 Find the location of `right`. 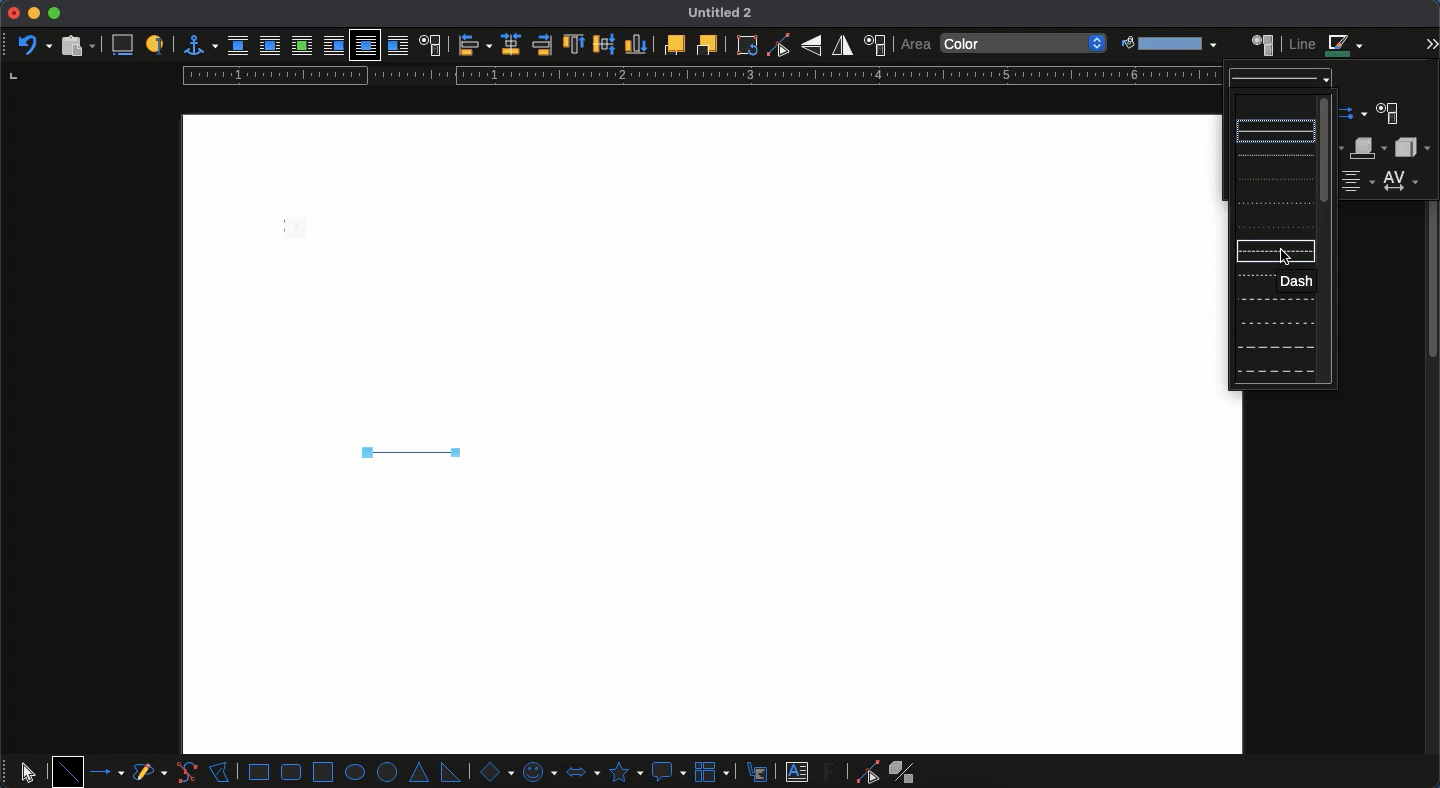

right is located at coordinates (542, 45).